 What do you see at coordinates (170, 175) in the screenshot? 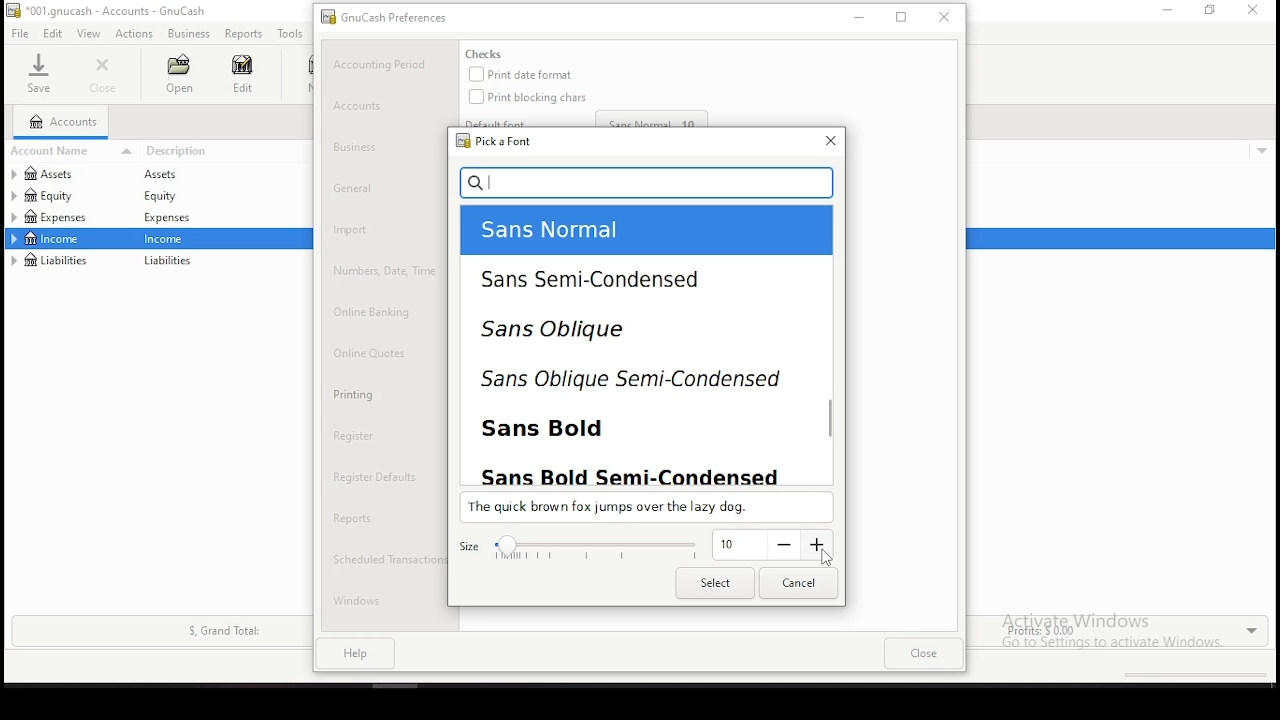
I see `assets` at bounding box center [170, 175].